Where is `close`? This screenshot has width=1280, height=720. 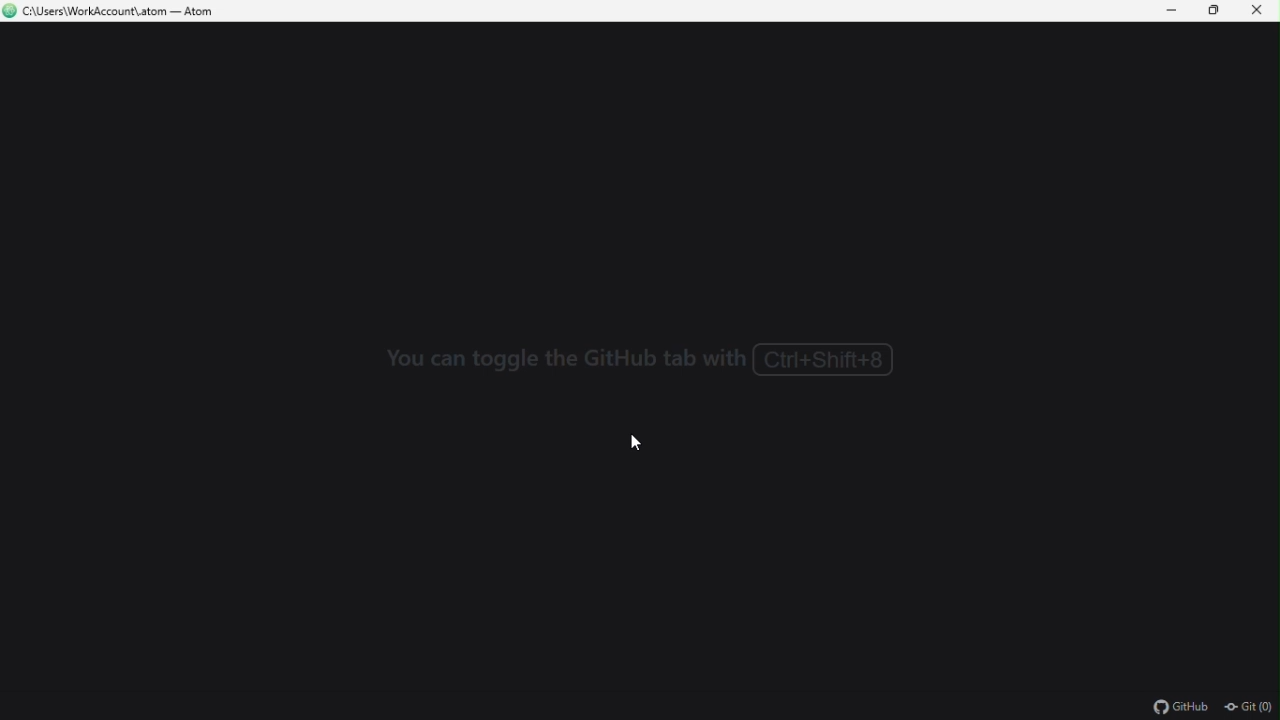
close is located at coordinates (1258, 11).